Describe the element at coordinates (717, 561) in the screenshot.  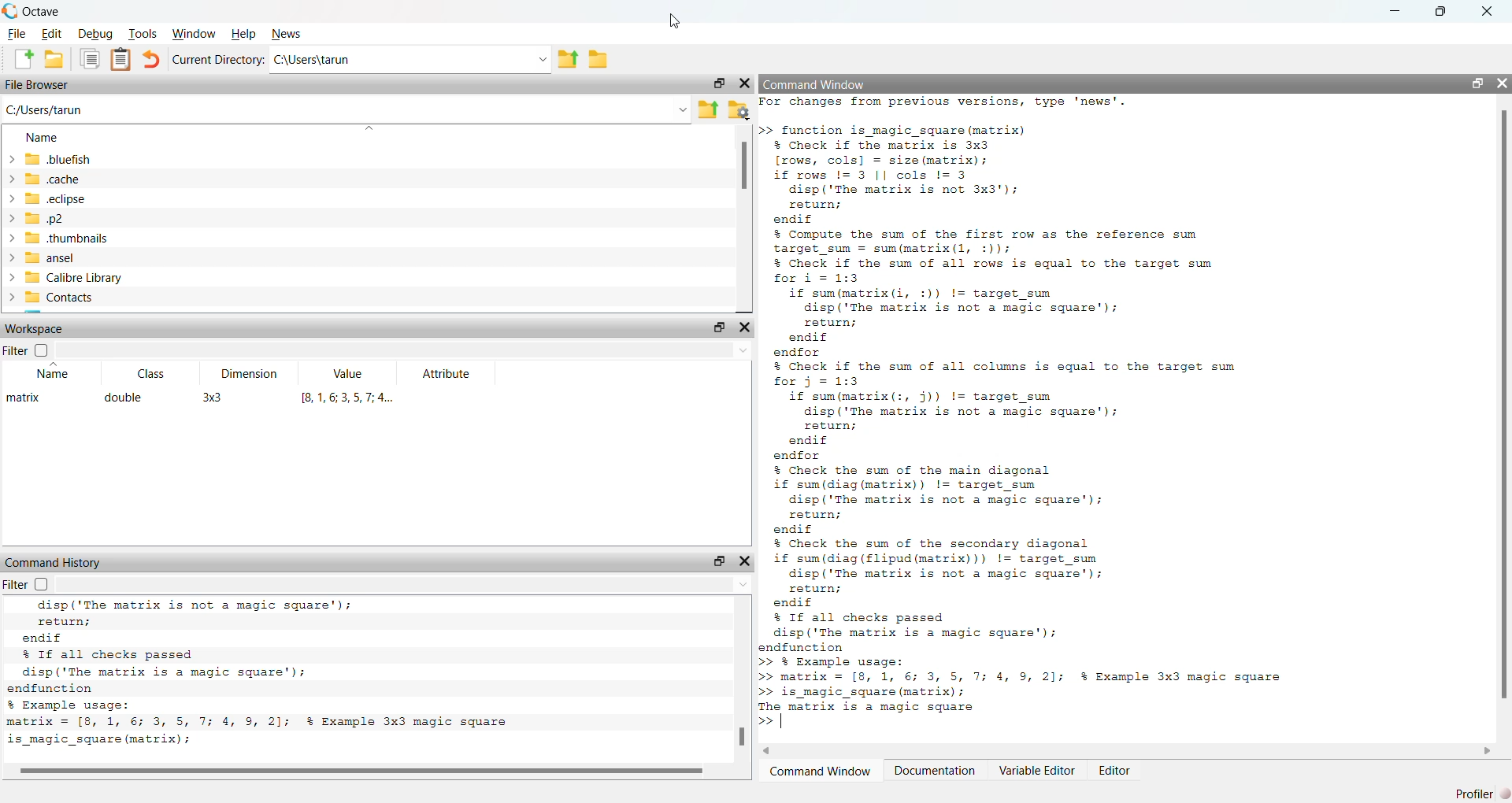
I see `maximize` at that location.